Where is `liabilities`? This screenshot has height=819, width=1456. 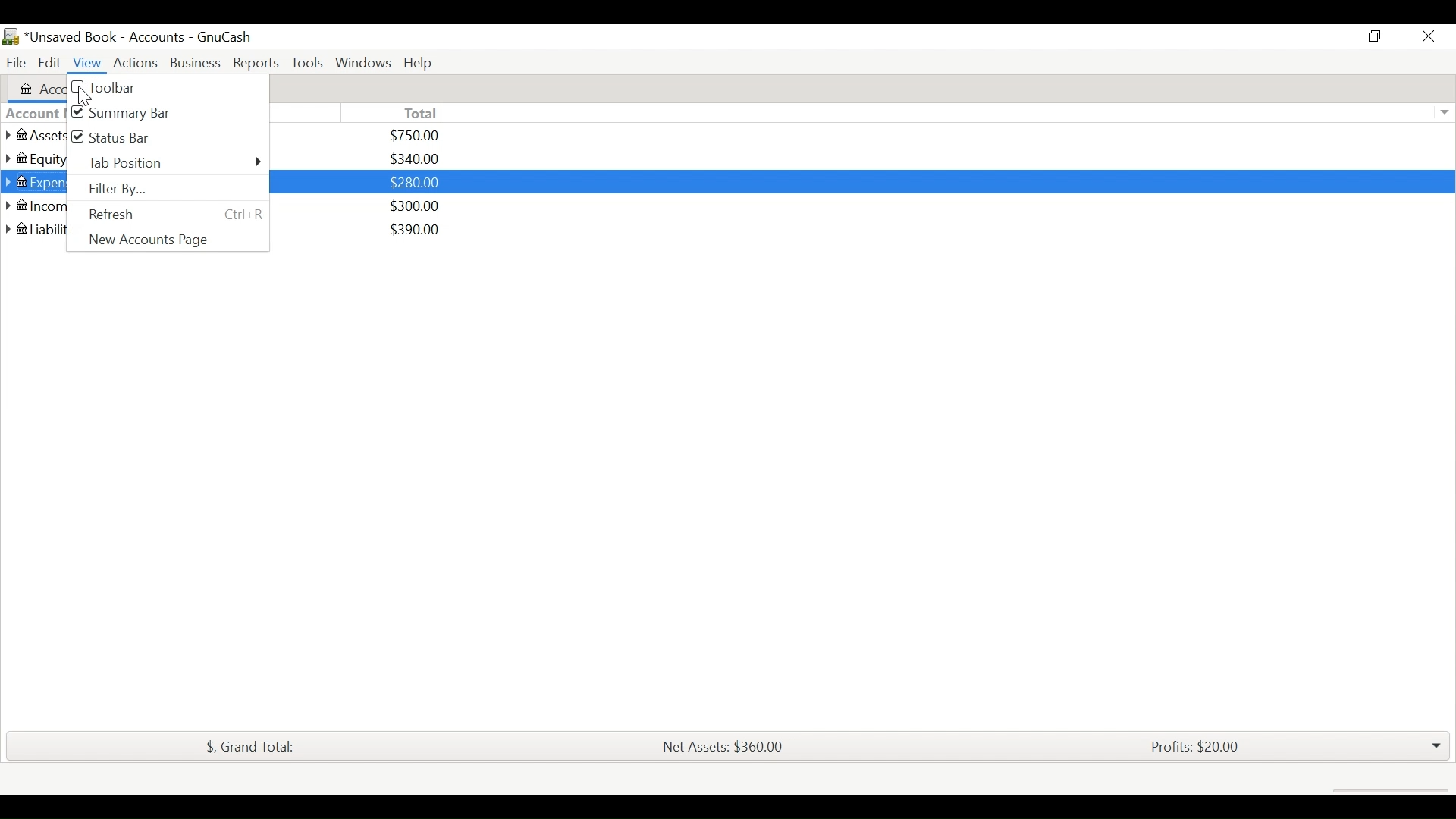 liabilities is located at coordinates (33, 230).